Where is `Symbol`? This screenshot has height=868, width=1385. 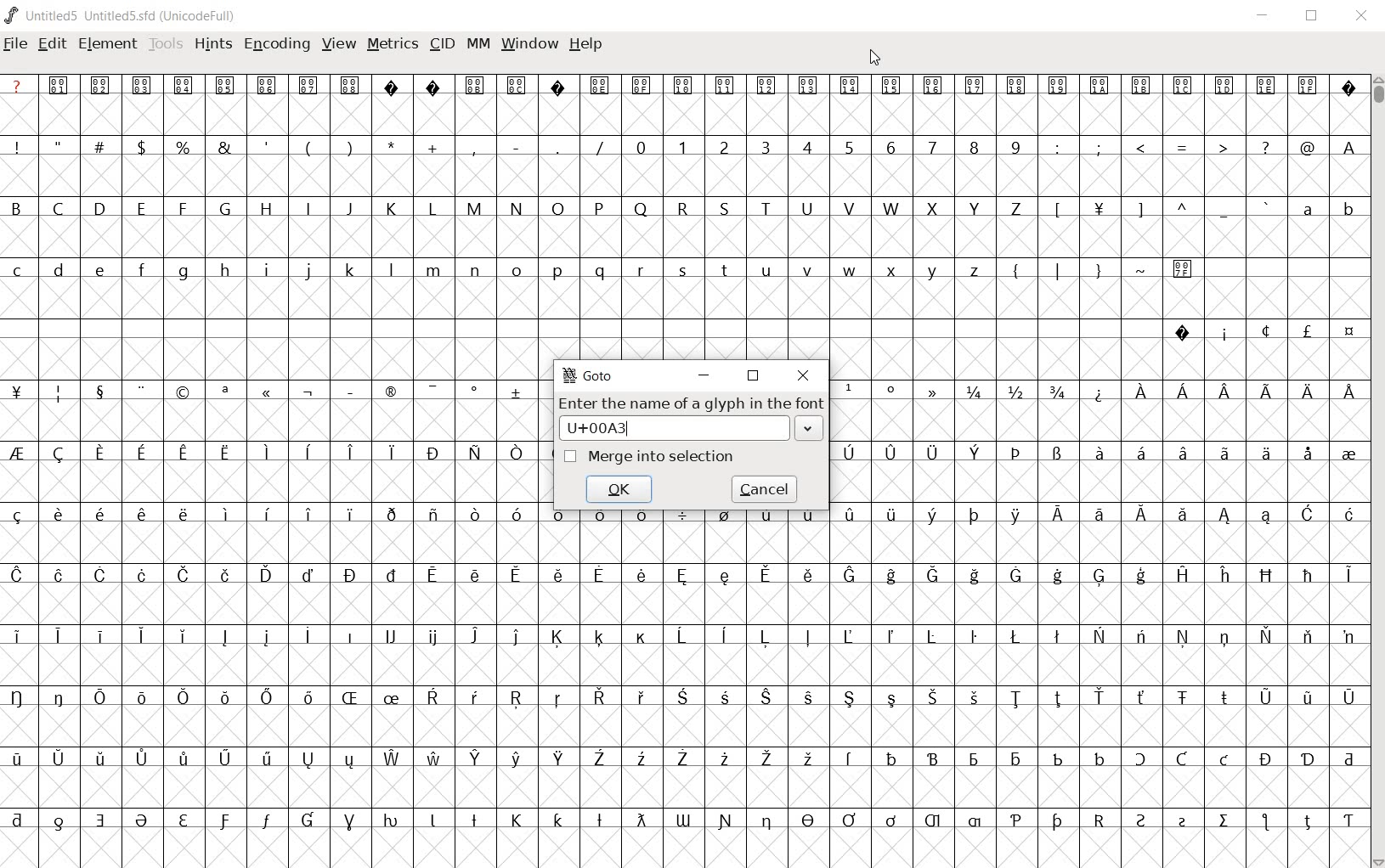
Symbol is located at coordinates (100, 820).